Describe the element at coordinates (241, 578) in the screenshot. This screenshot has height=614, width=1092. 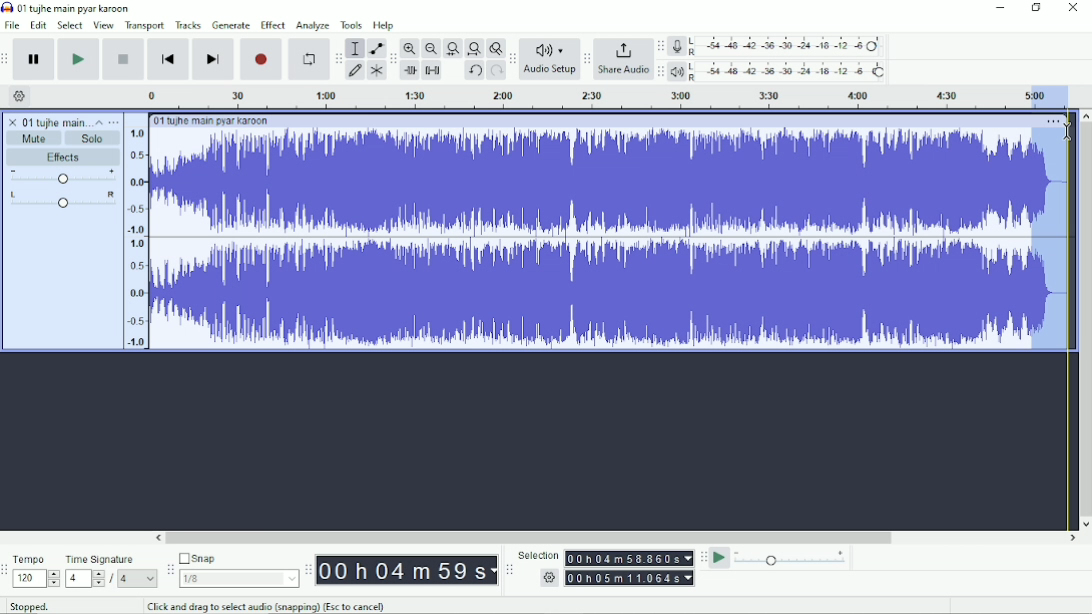
I see `1/8` at that location.